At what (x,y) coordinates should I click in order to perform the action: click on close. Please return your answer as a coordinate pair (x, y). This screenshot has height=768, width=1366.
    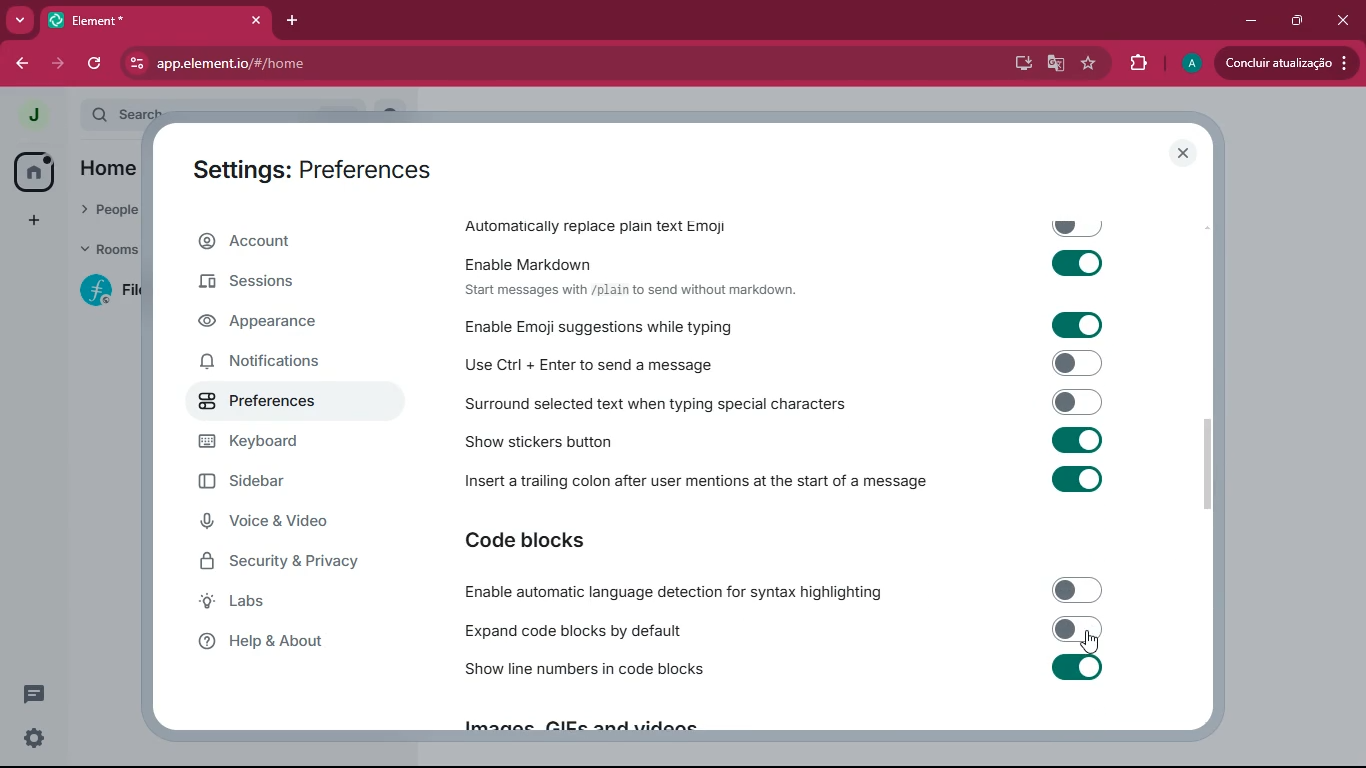
    Looking at the image, I should click on (1342, 21).